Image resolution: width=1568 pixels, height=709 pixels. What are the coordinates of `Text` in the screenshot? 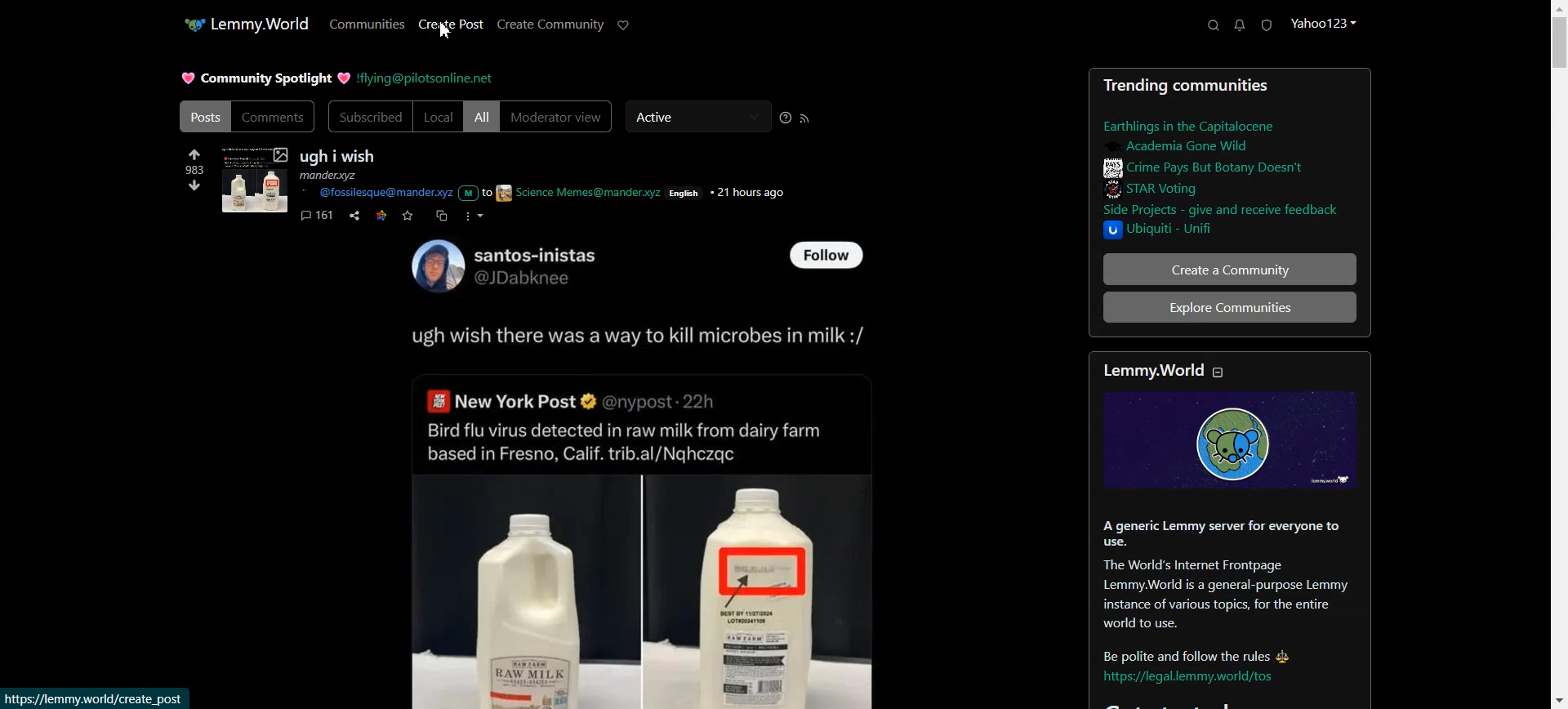 It's located at (265, 78).